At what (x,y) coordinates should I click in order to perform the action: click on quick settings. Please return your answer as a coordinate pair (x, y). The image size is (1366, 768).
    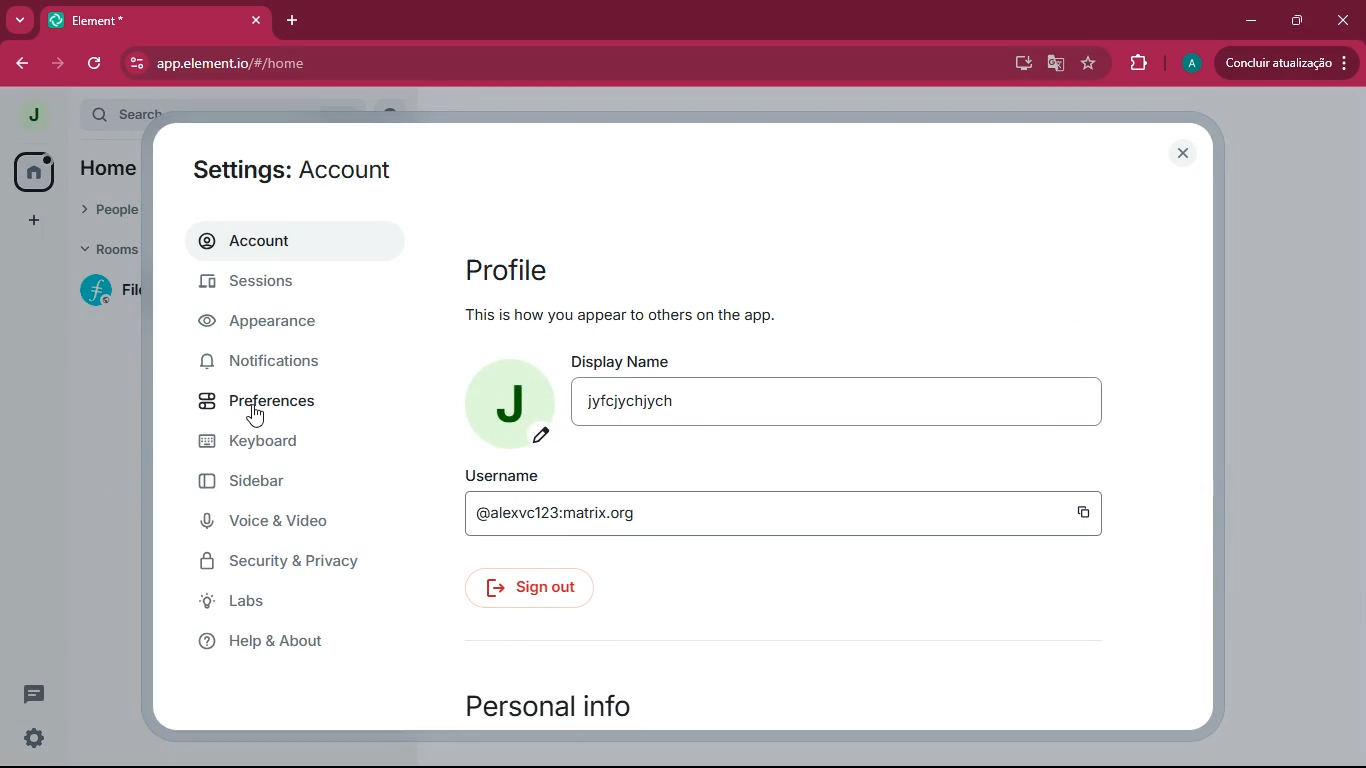
    Looking at the image, I should click on (34, 738).